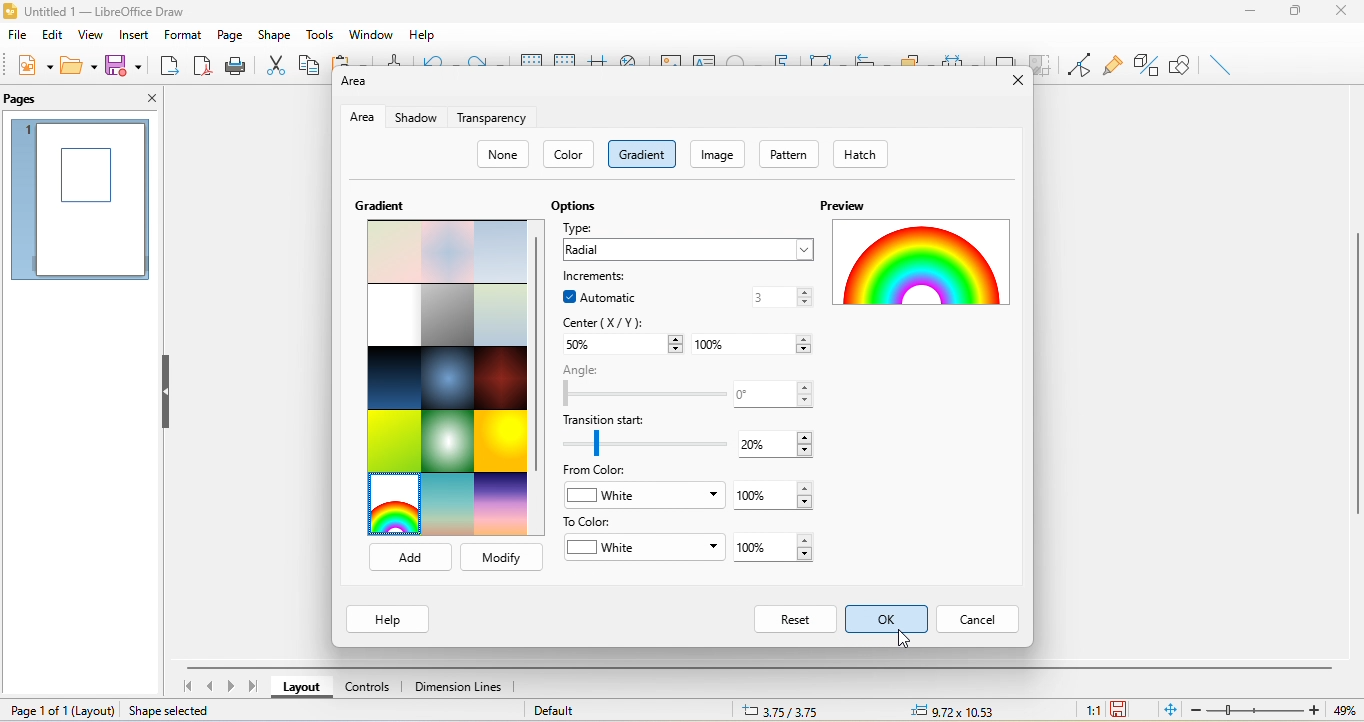 The image size is (1364, 722). Describe the element at coordinates (685, 249) in the screenshot. I see `radial` at that location.